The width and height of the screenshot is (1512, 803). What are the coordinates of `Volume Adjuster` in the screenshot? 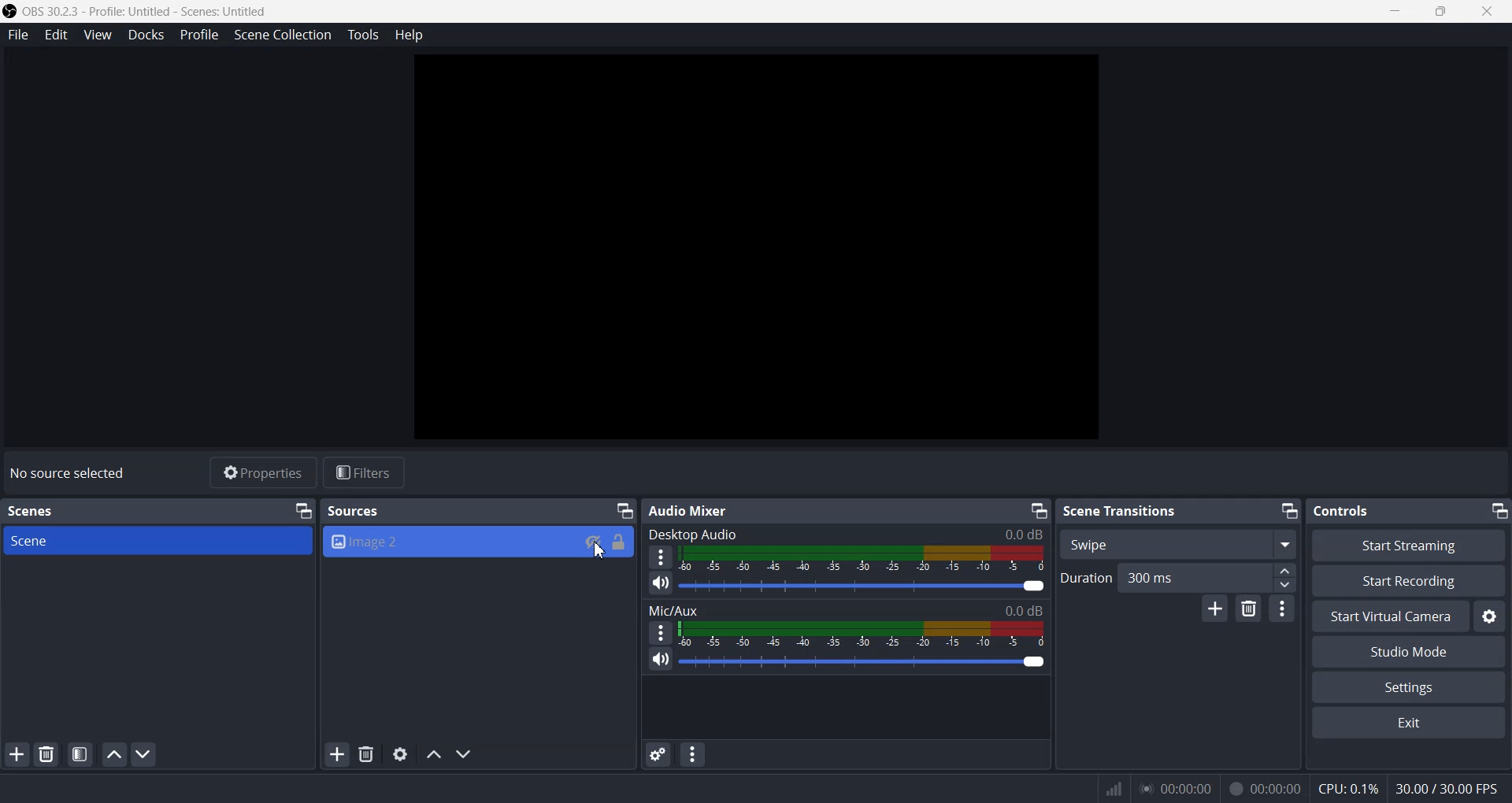 It's located at (864, 660).